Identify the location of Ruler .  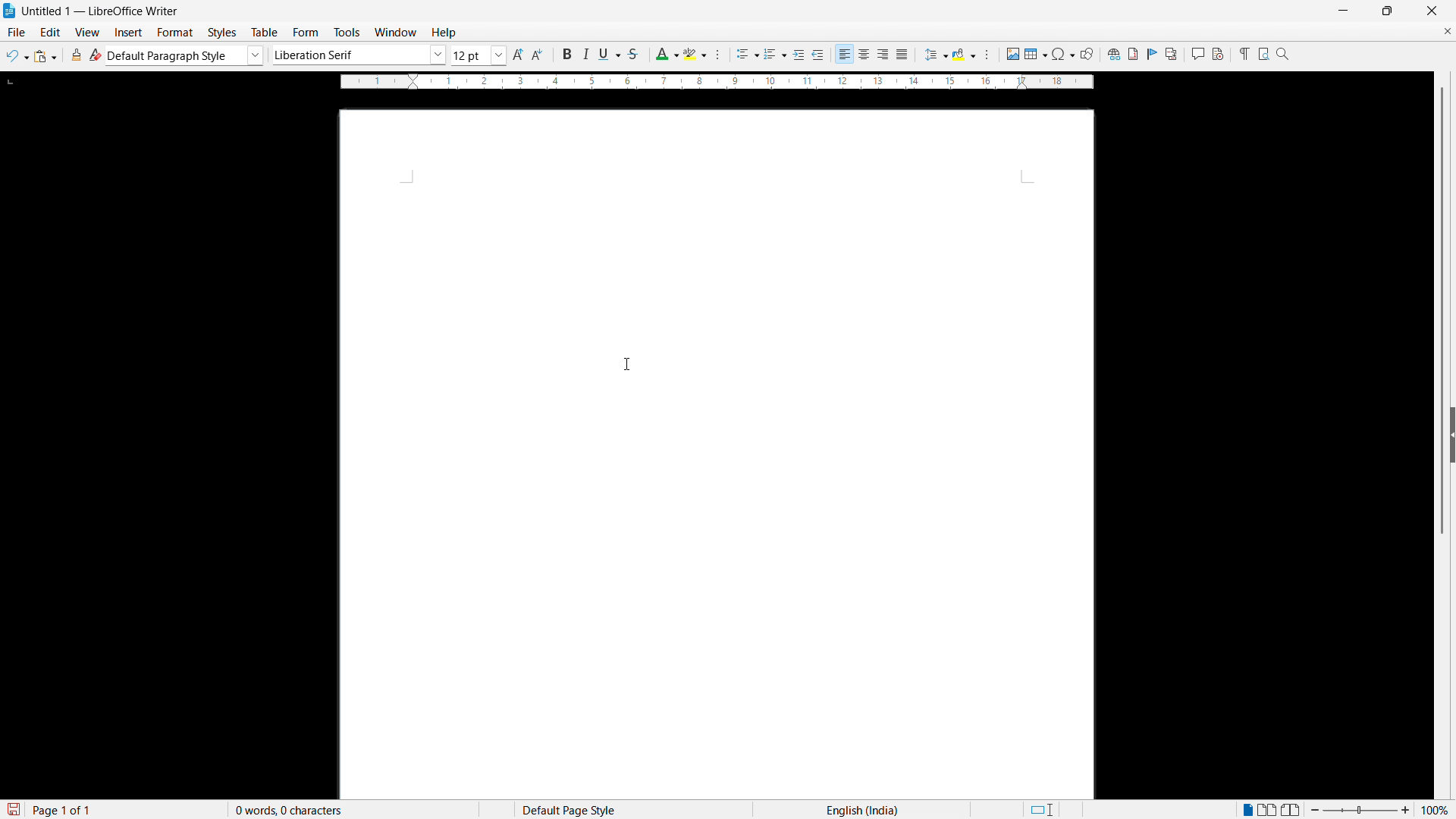
(717, 82).